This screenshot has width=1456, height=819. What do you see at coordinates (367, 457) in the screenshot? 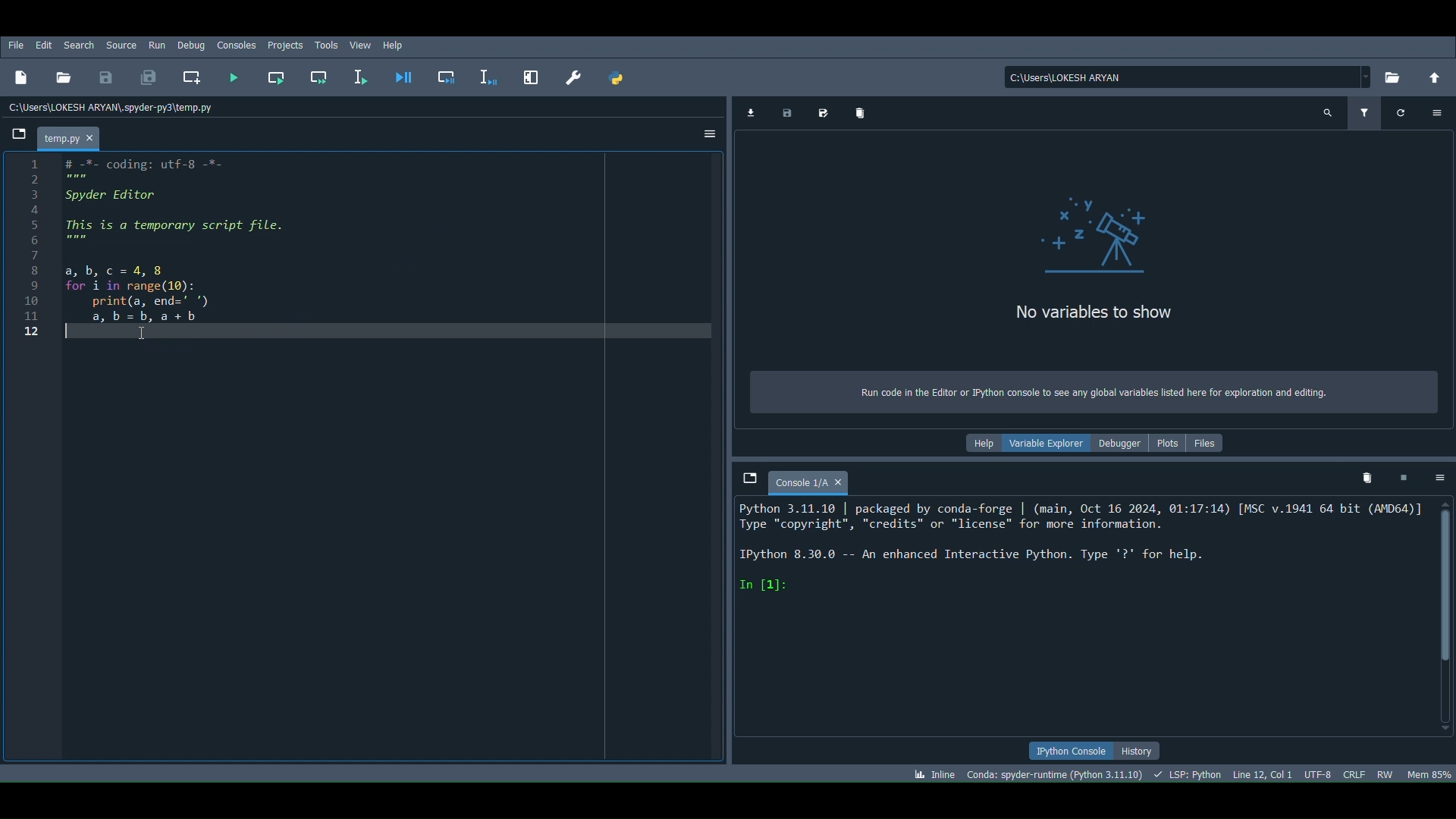
I see `Code editor` at bounding box center [367, 457].